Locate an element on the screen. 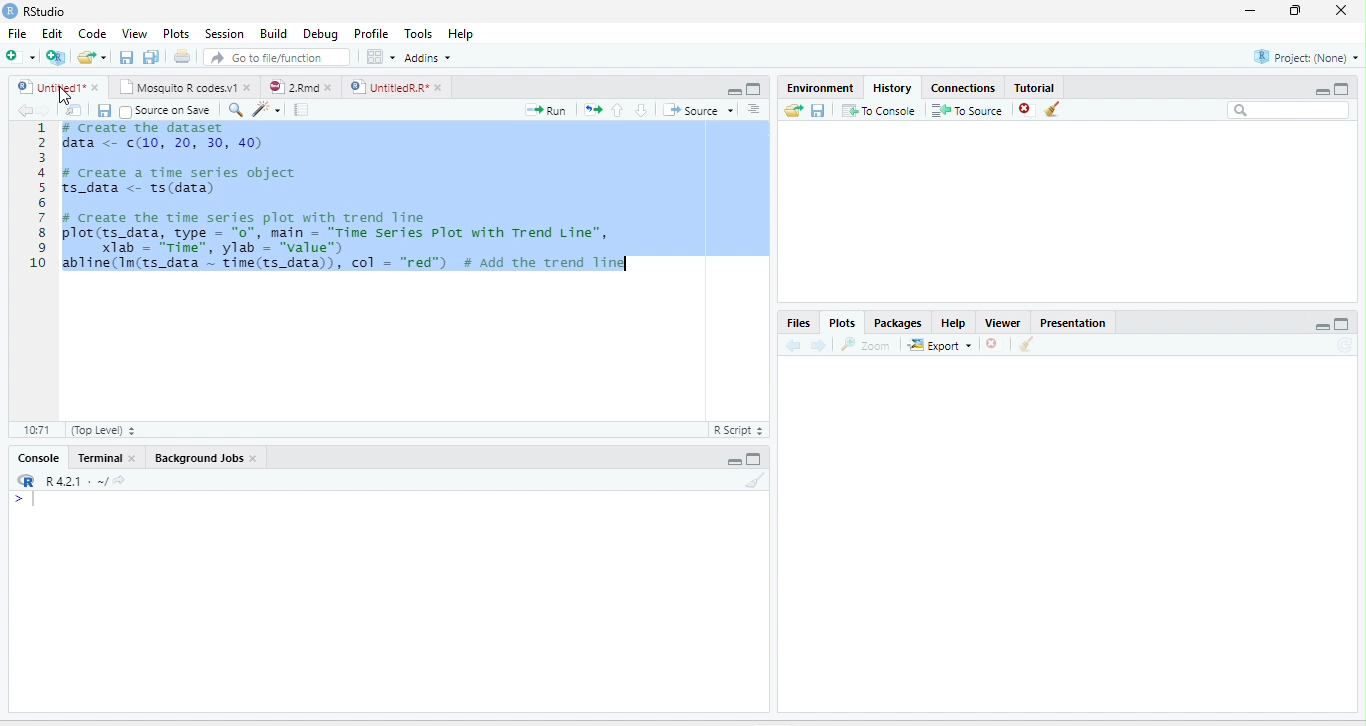 The height and width of the screenshot is (726, 1366). Minimize is located at coordinates (733, 92).